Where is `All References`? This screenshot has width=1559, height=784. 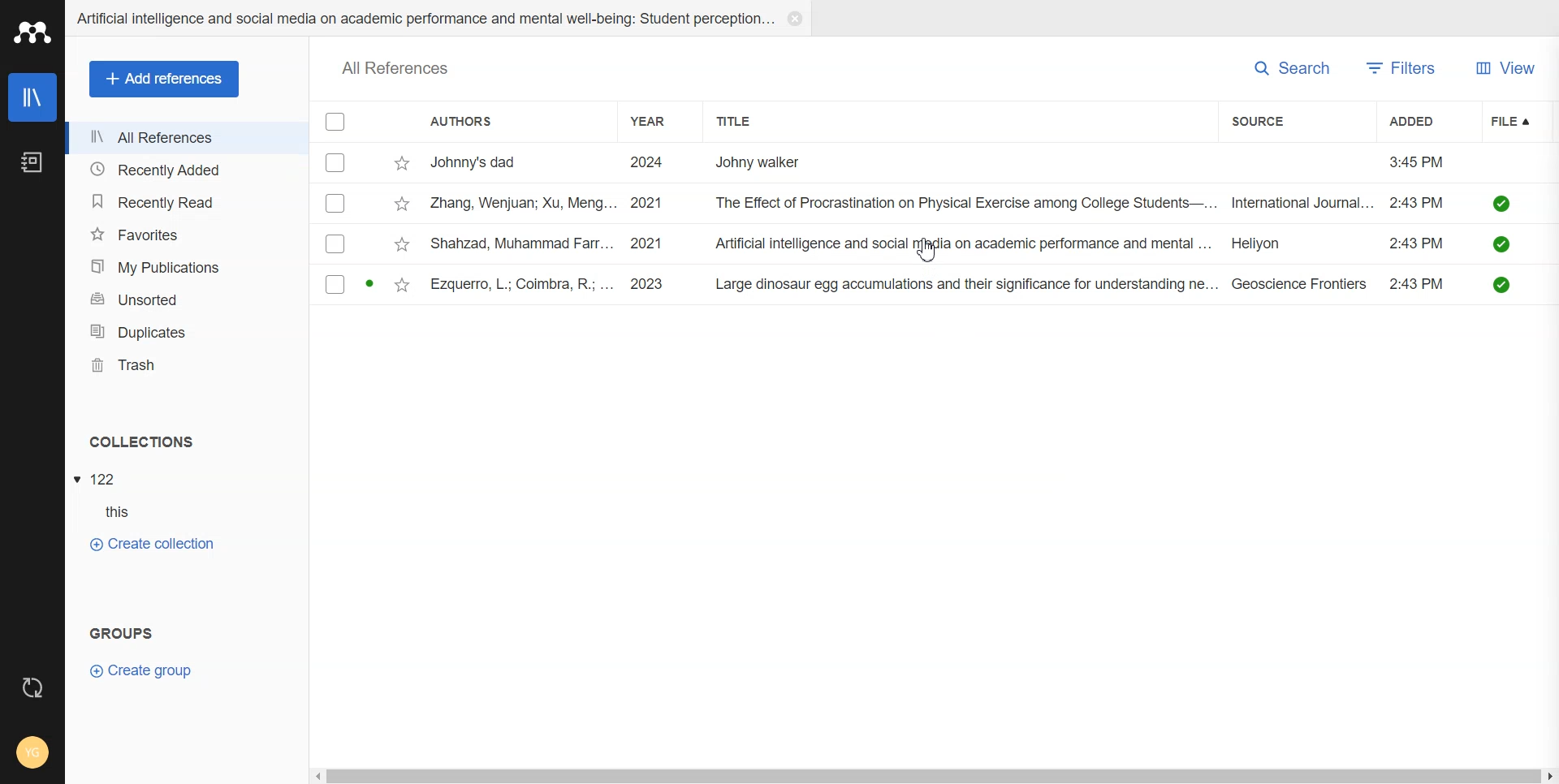 All References is located at coordinates (187, 138).